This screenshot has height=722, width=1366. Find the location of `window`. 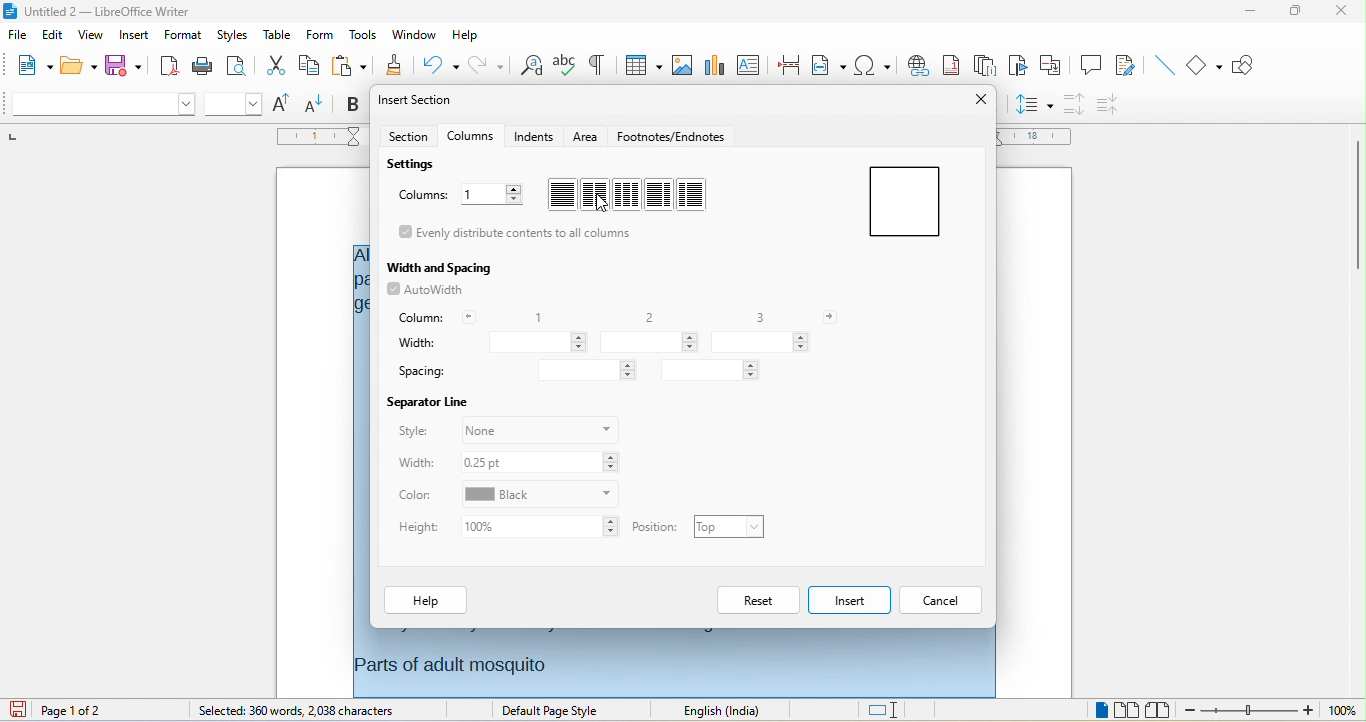

window is located at coordinates (414, 34).